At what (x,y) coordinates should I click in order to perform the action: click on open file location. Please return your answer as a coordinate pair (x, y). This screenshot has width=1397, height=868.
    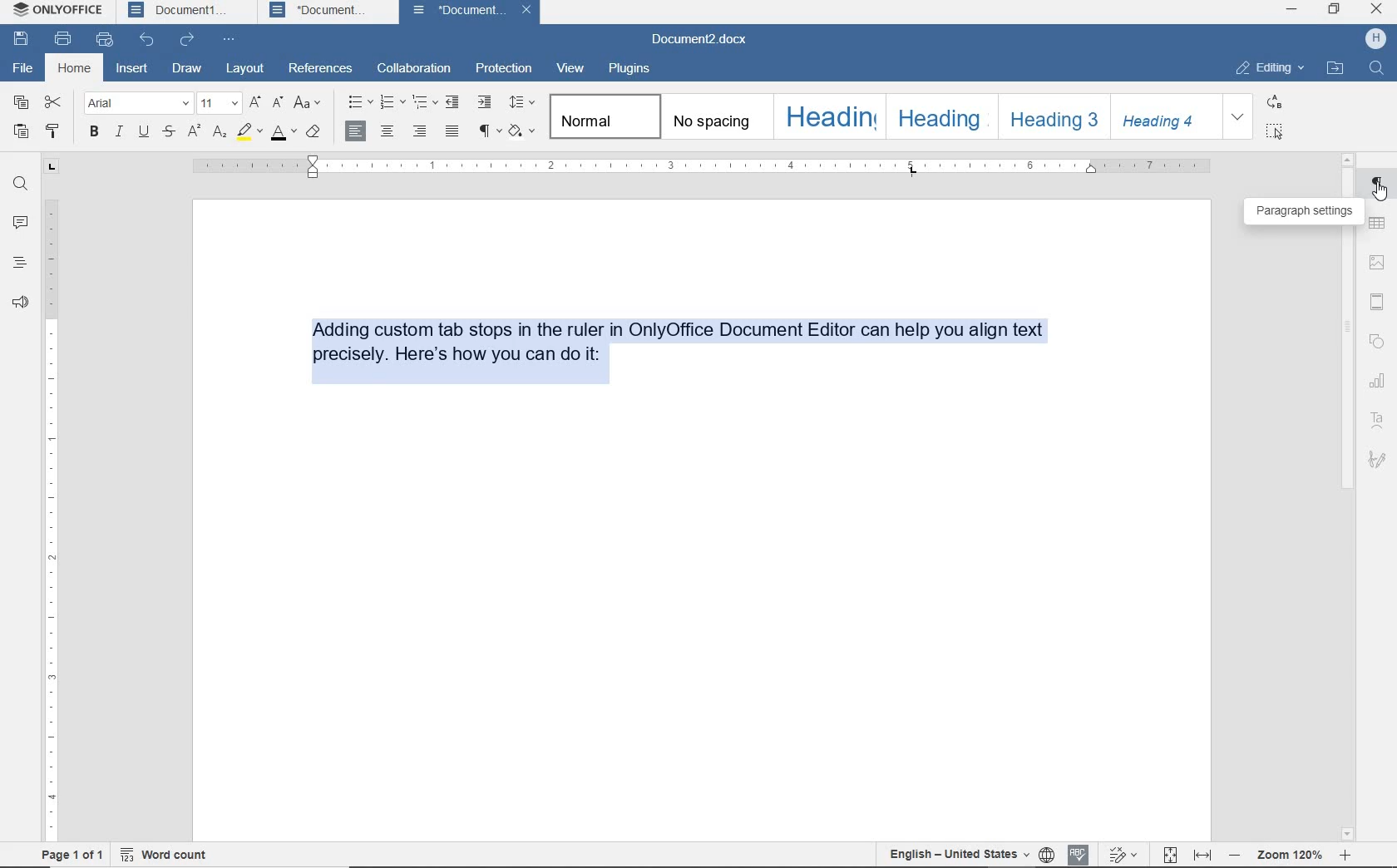
    Looking at the image, I should click on (1335, 68).